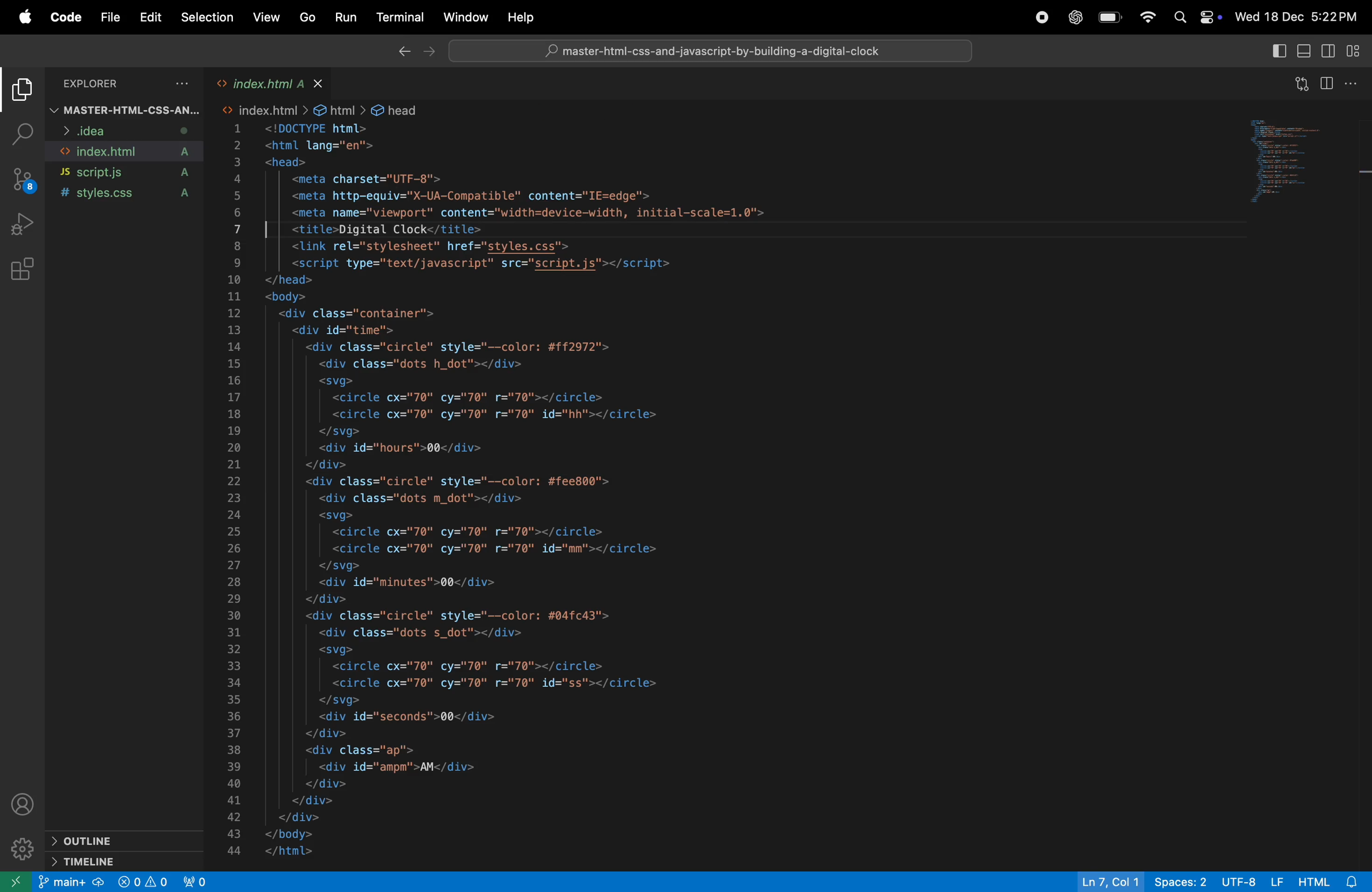 Image resolution: width=1372 pixels, height=892 pixels. What do you see at coordinates (232, 488) in the screenshot?
I see `line number` at bounding box center [232, 488].